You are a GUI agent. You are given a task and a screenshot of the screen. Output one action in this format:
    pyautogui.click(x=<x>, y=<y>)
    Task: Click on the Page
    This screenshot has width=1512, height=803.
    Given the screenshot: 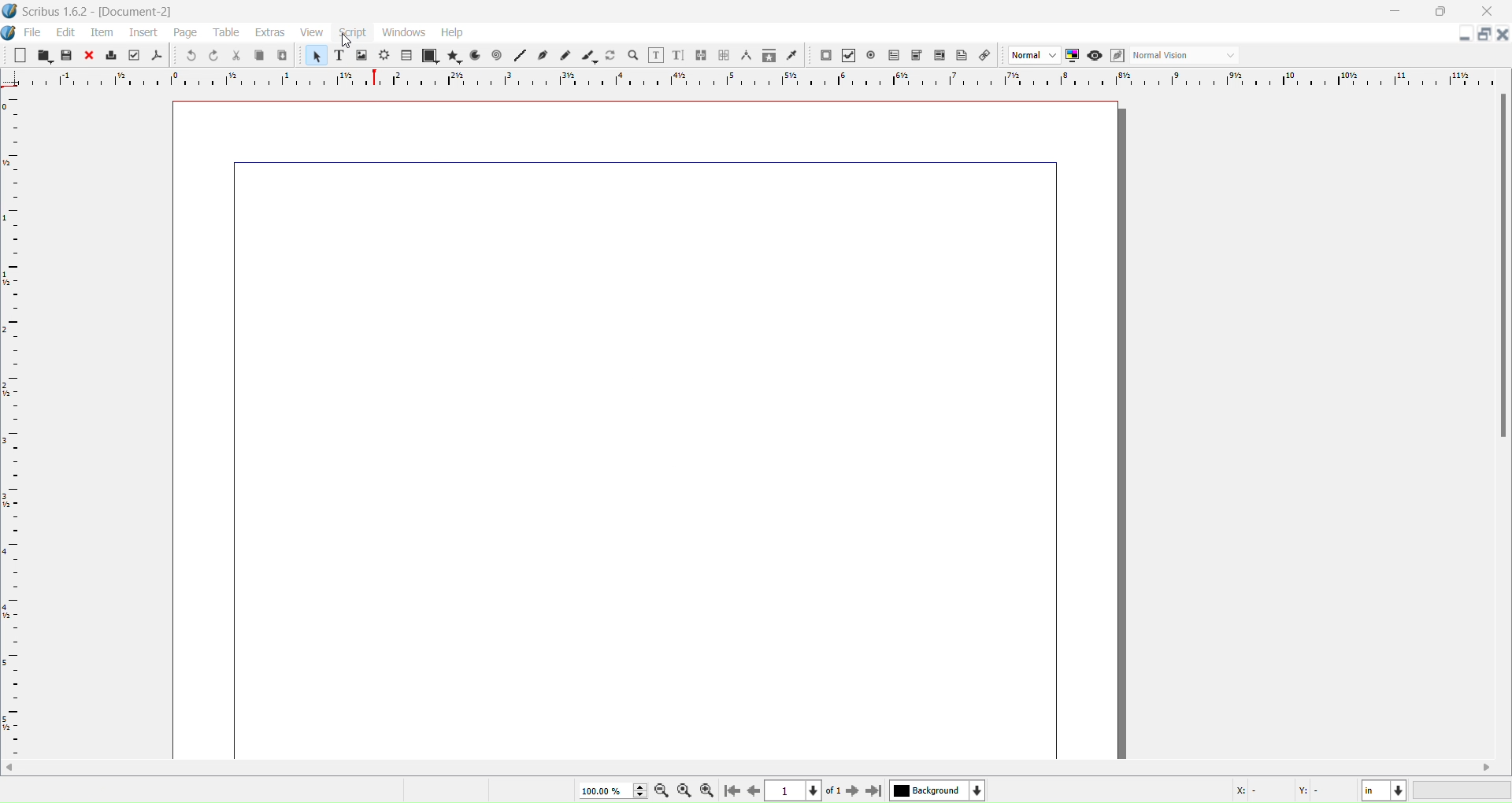 What is the action you would take?
    pyautogui.click(x=185, y=35)
    